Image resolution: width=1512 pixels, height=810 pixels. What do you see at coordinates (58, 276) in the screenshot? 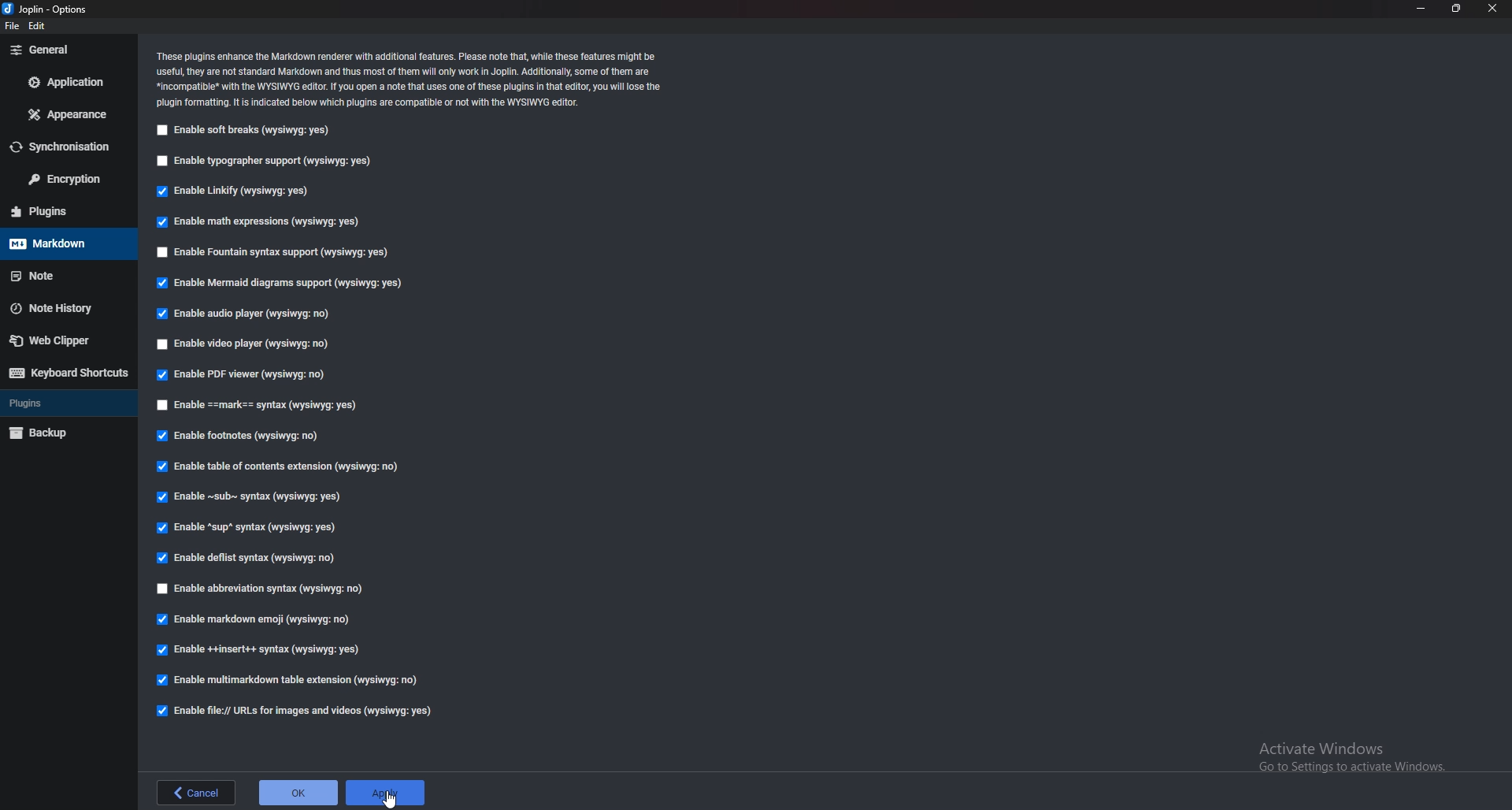
I see `note` at bounding box center [58, 276].